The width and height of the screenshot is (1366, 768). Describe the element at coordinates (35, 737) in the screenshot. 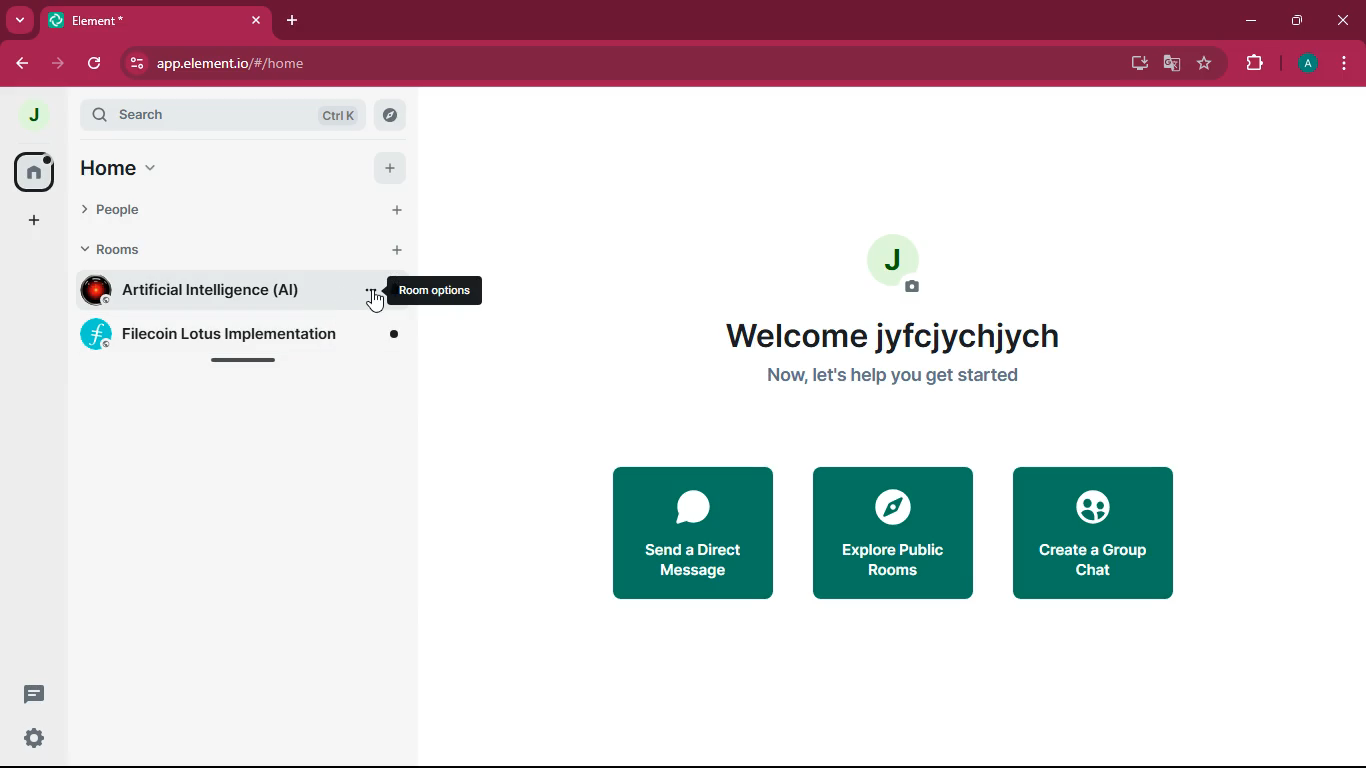

I see `quick settings` at that location.